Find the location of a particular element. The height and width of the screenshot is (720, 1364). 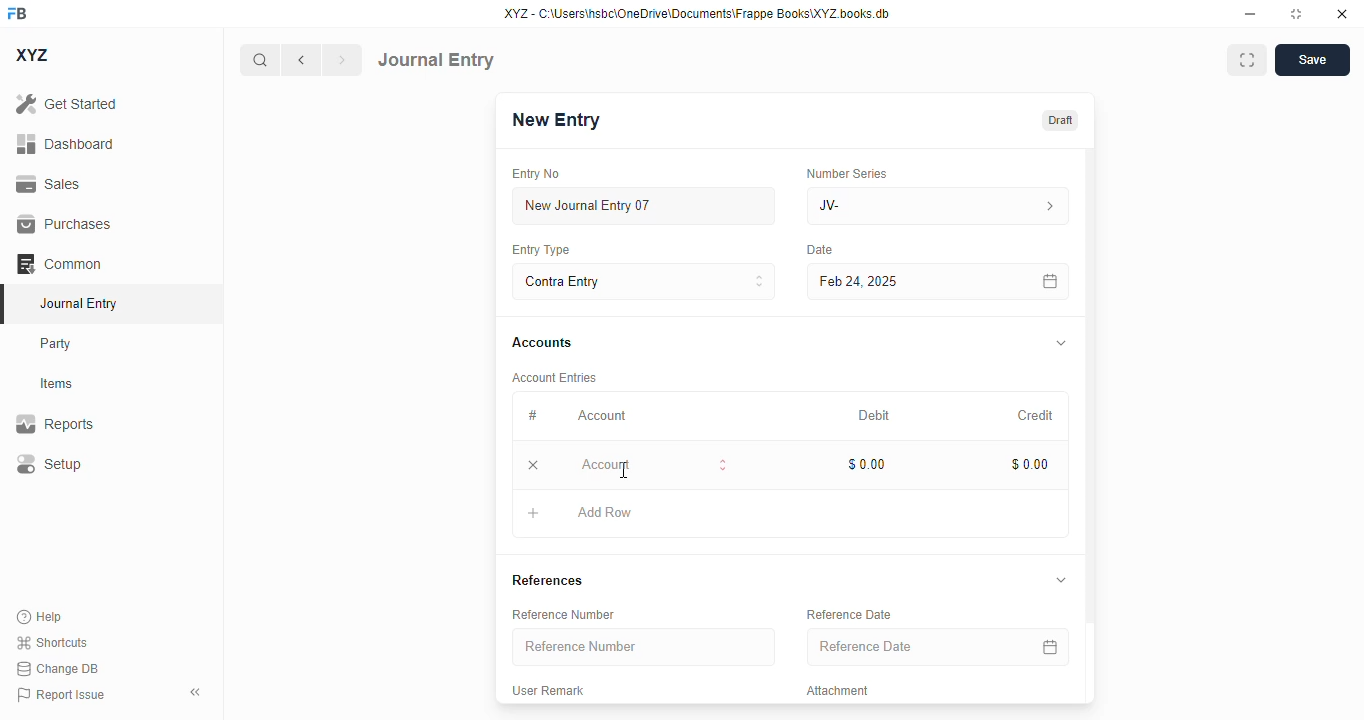

contra entry  is located at coordinates (643, 280).